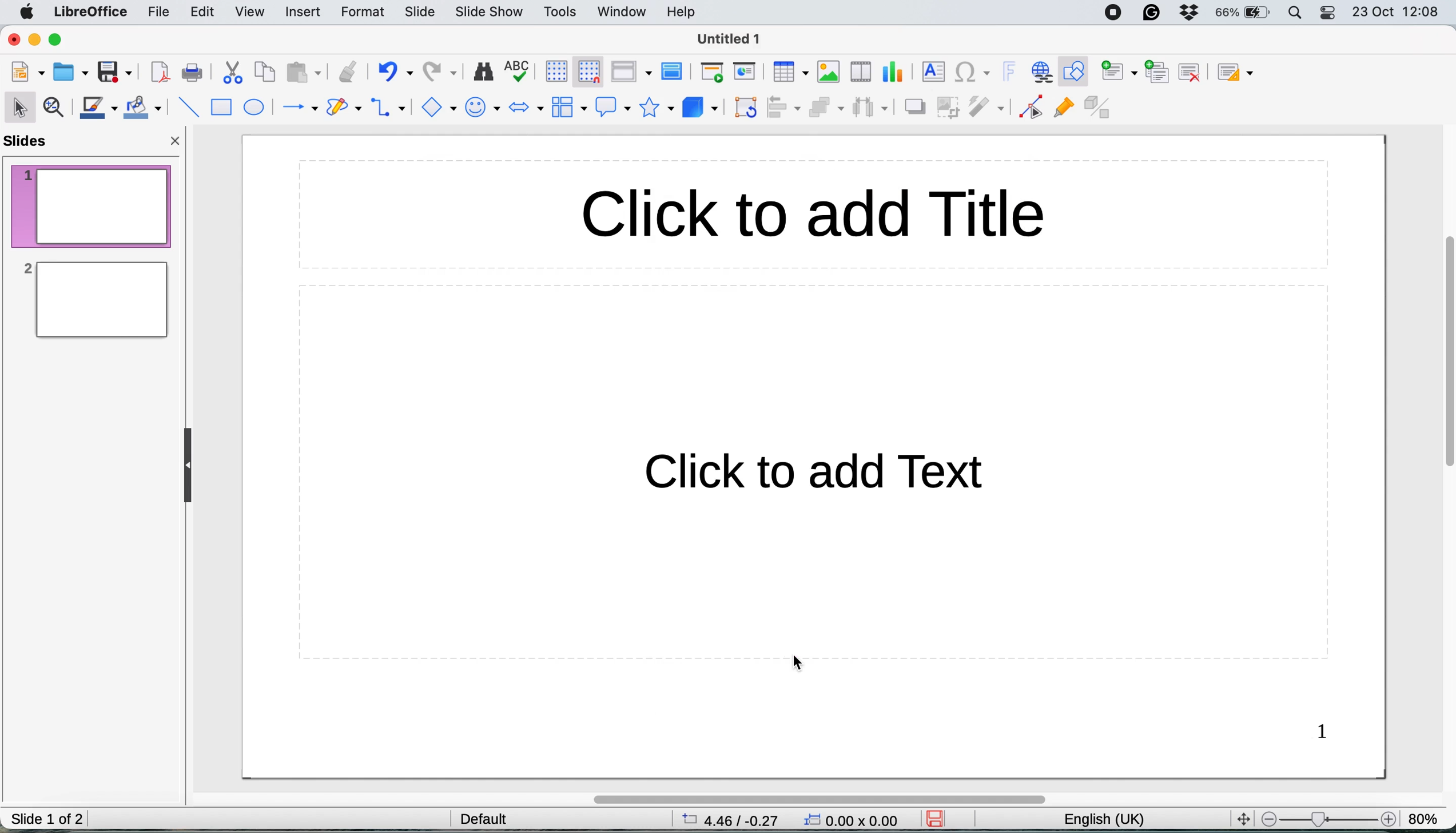  What do you see at coordinates (1063, 110) in the screenshot?
I see `show gluepoint functions` at bounding box center [1063, 110].